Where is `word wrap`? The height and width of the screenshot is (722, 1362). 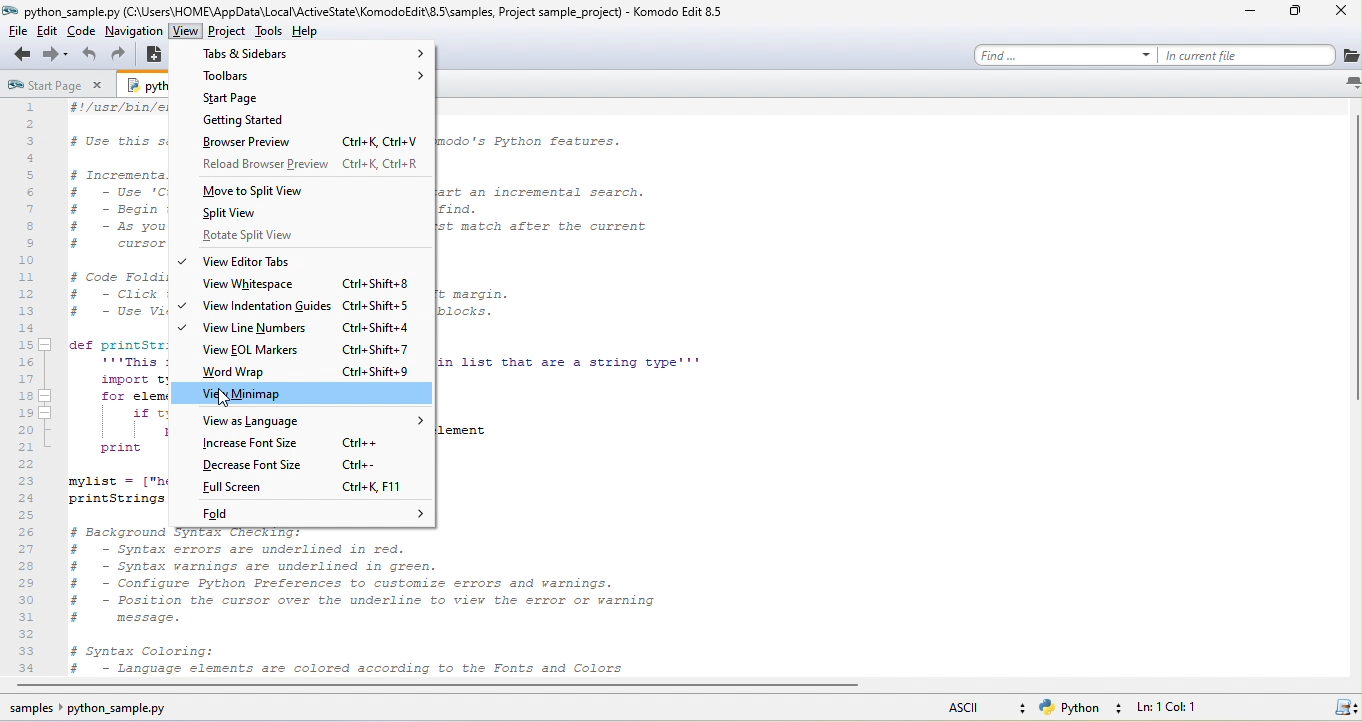
word wrap is located at coordinates (304, 369).